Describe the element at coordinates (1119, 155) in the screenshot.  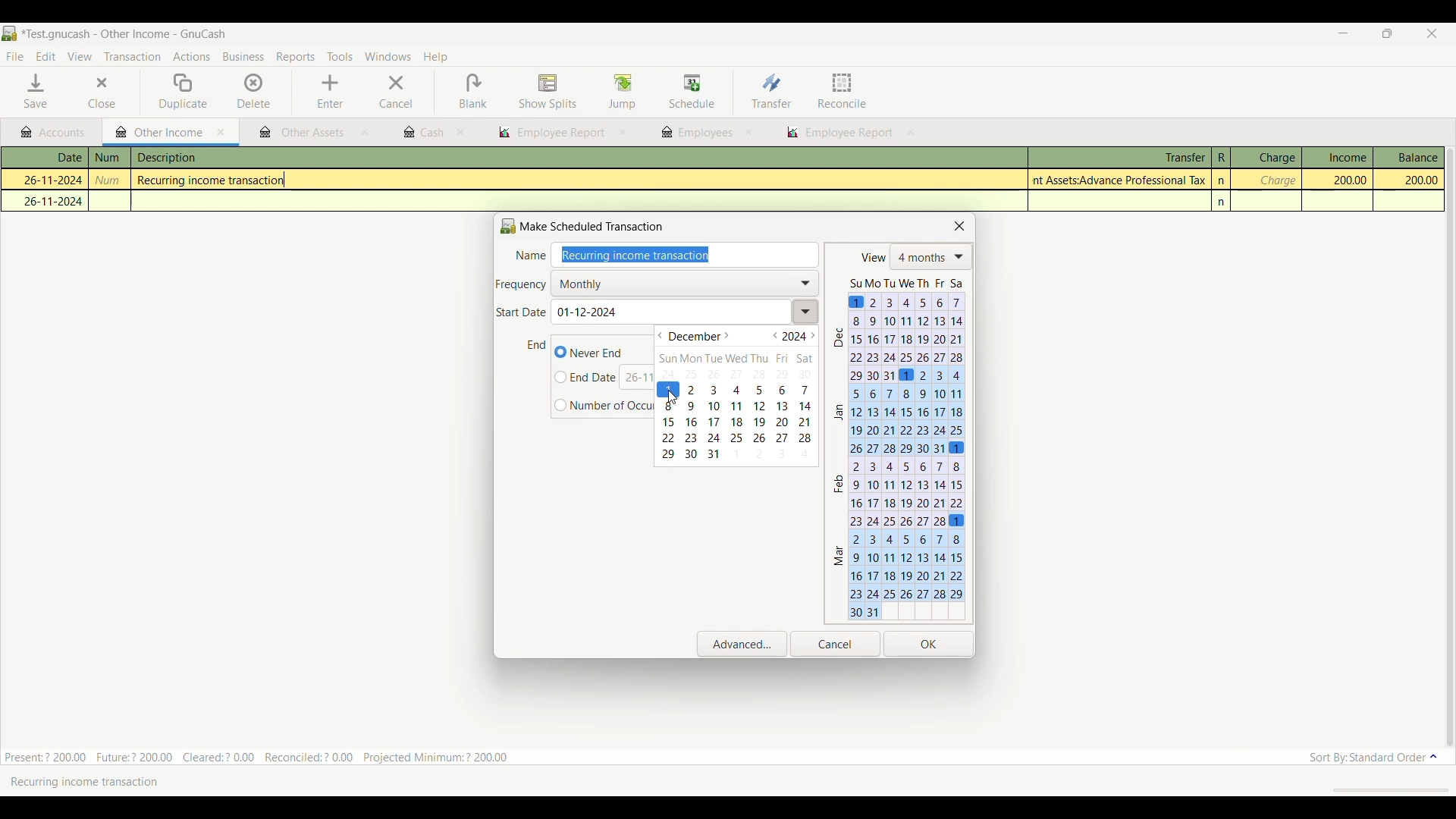
I see `Transfer column` at that location.